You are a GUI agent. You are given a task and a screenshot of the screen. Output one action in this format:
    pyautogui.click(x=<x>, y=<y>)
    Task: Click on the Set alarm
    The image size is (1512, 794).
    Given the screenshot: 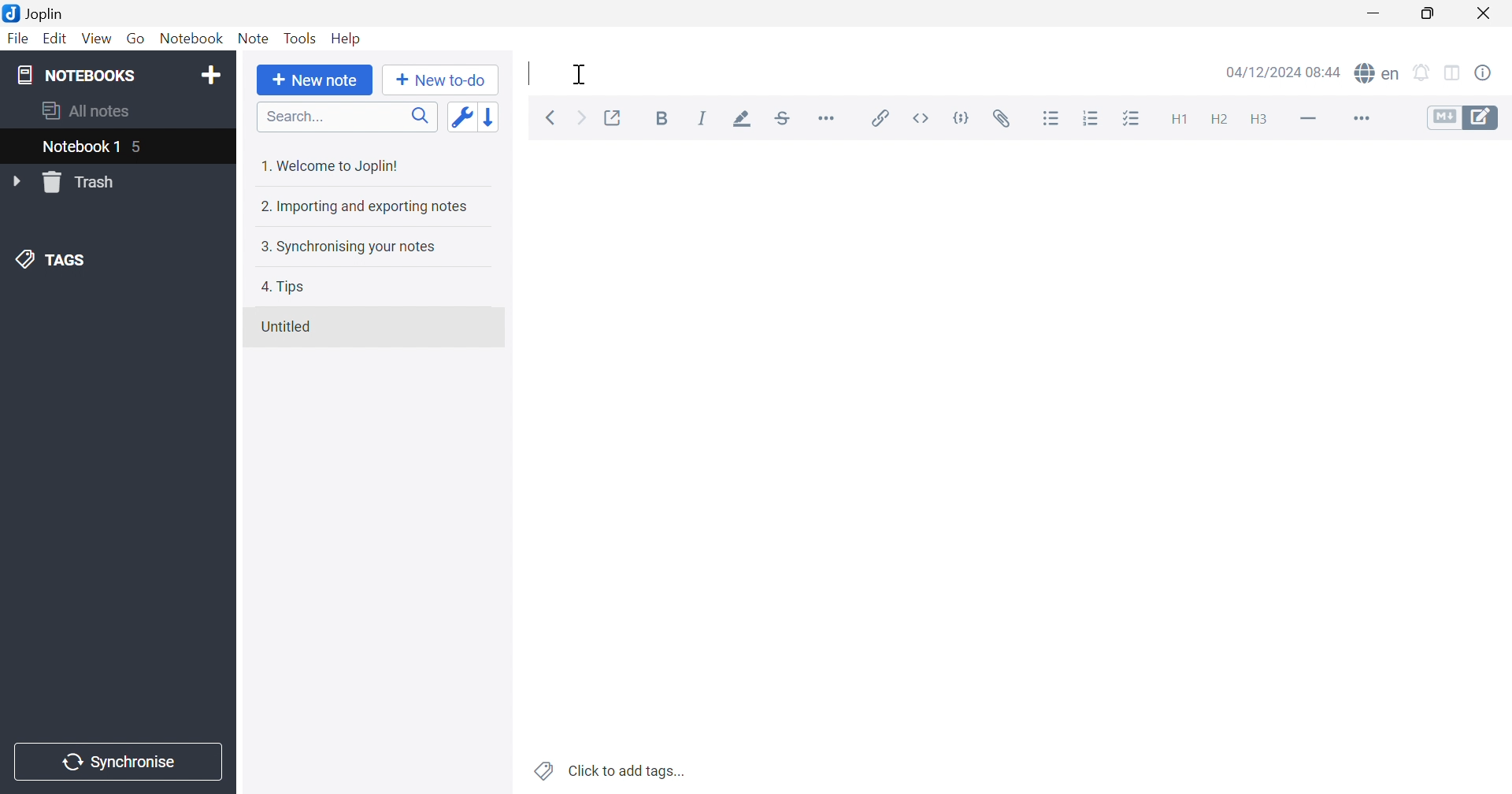 What is the action you would take?
    pyautogui.click(x=1421, y=72)
    